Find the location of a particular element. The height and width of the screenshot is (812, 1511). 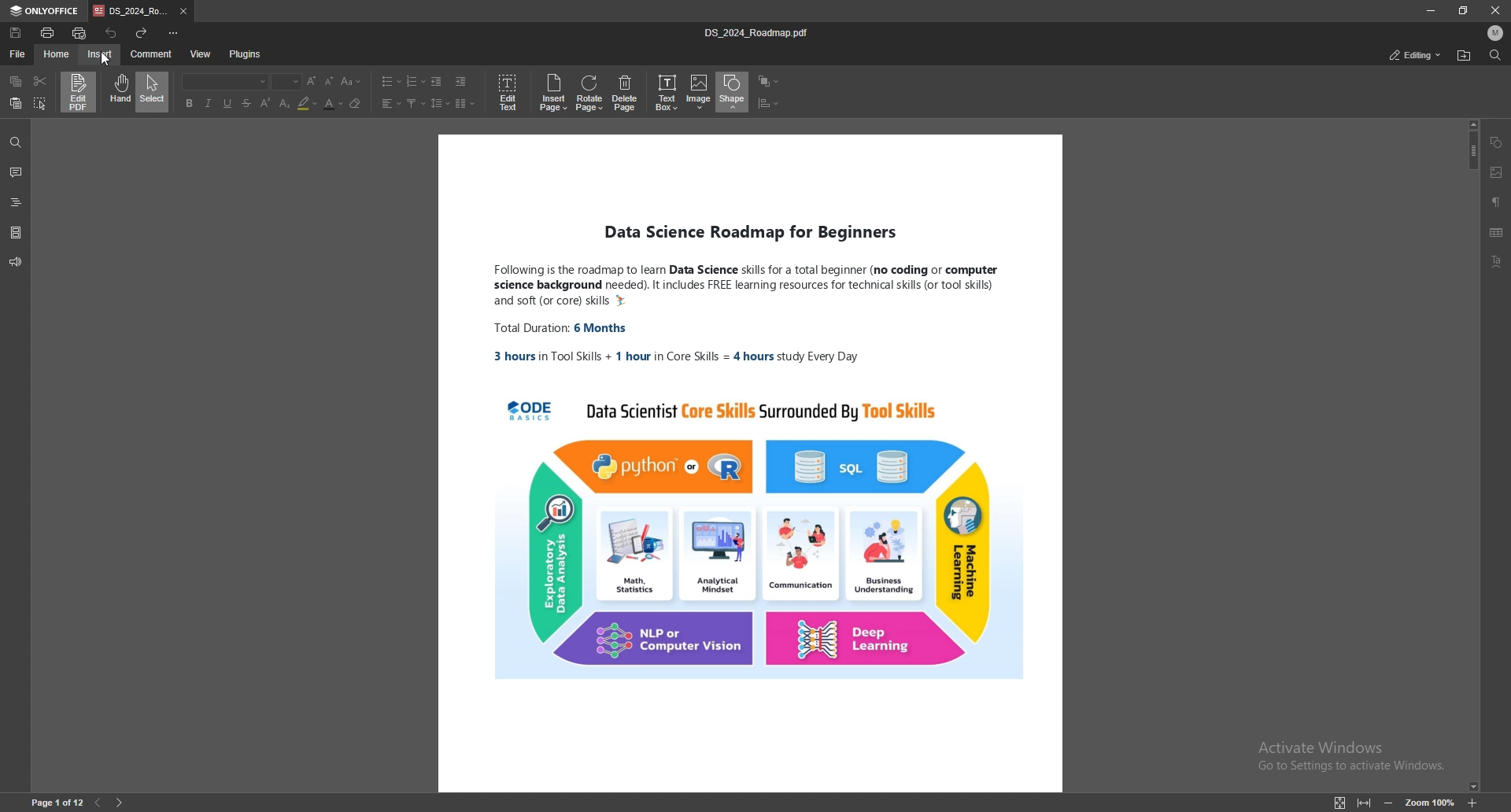

justify is located at coordinates (390, 103).